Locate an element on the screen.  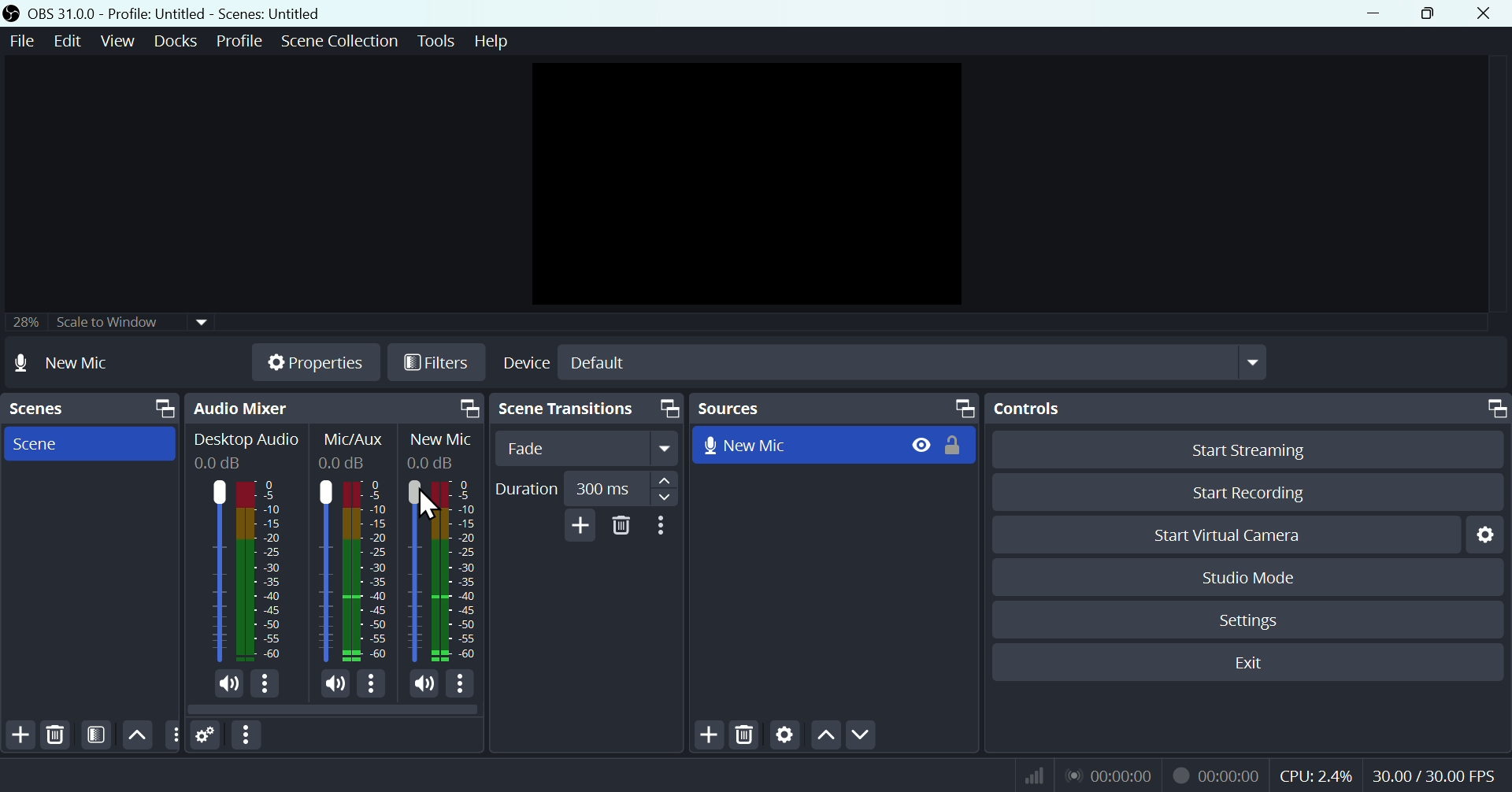
View is located at coordinates (120, 41).